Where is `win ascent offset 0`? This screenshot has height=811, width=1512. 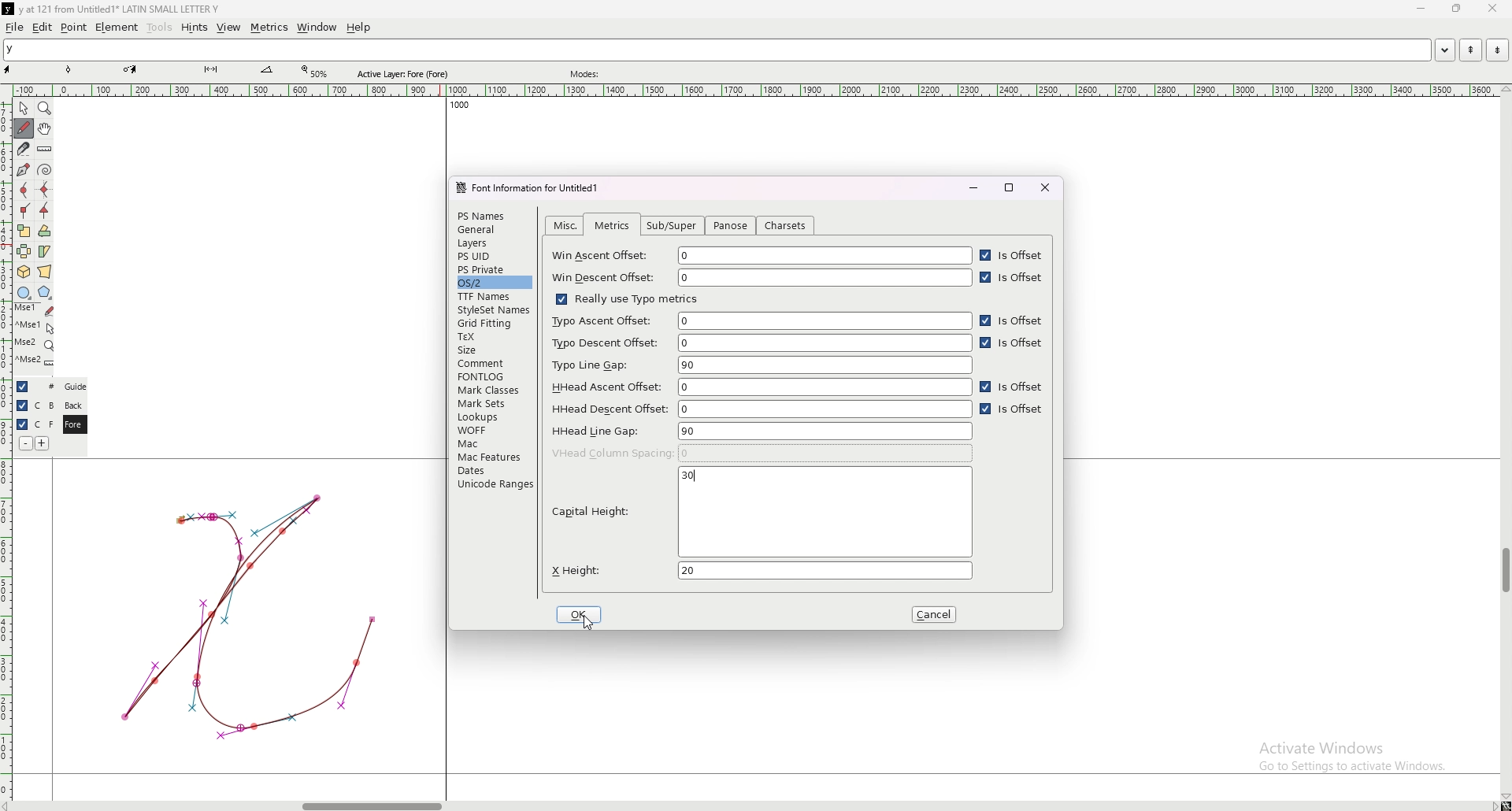
win ascent offset 0 is located at coordinates (762, 256).